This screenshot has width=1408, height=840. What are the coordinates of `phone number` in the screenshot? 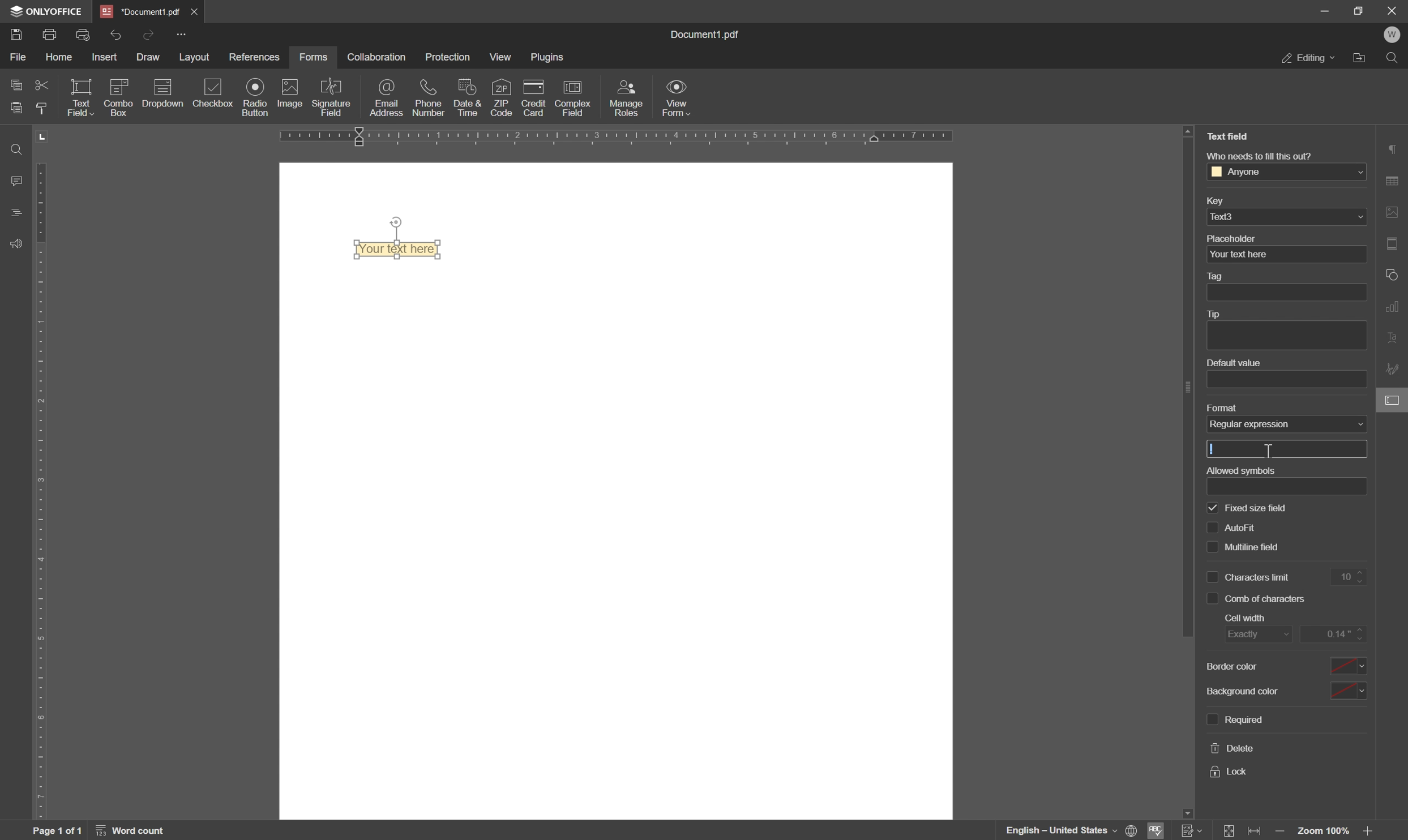 It's located at (430, 97).